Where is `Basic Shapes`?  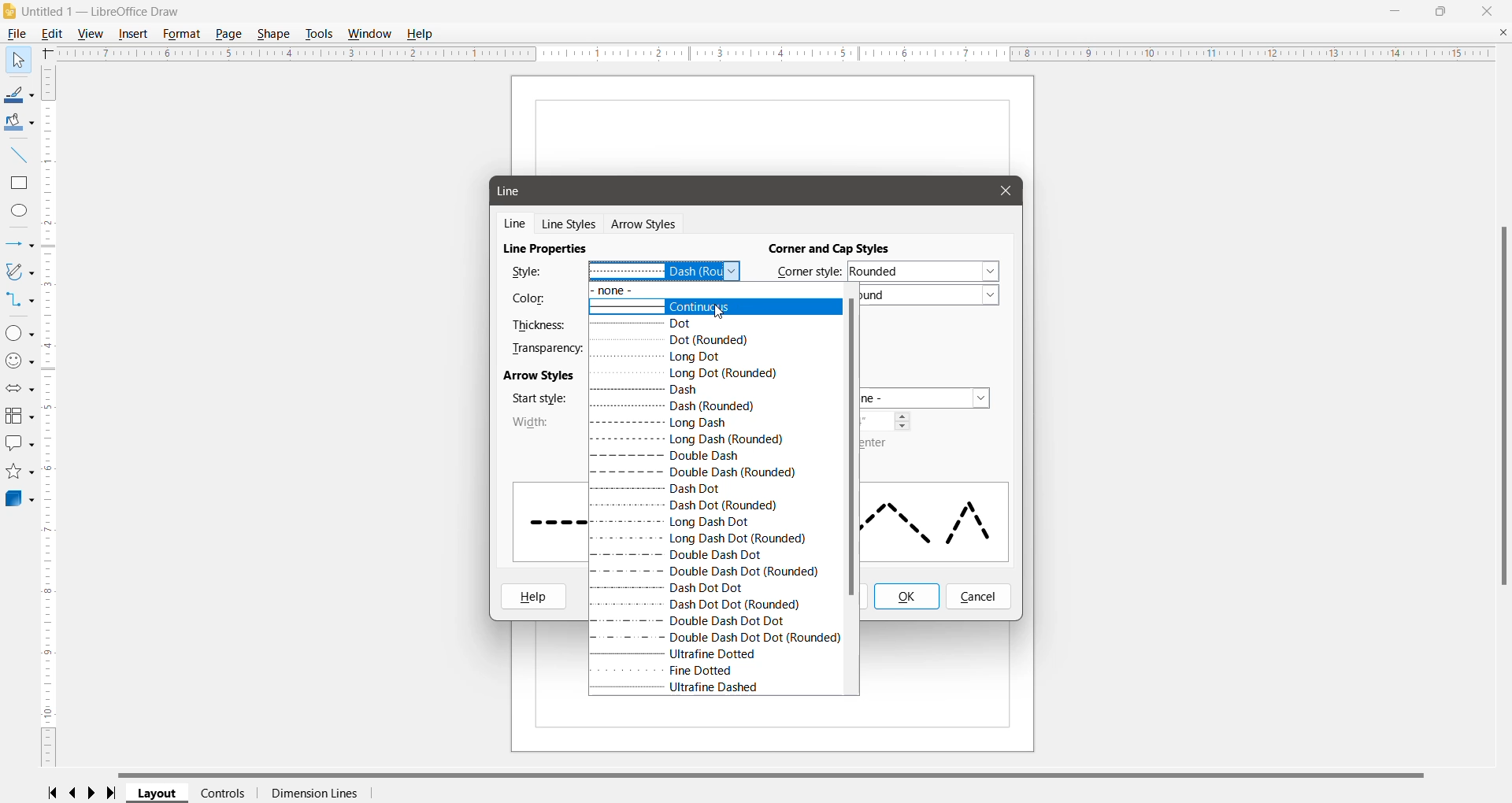
Basic Shapes is located at coordinates (20, 333).